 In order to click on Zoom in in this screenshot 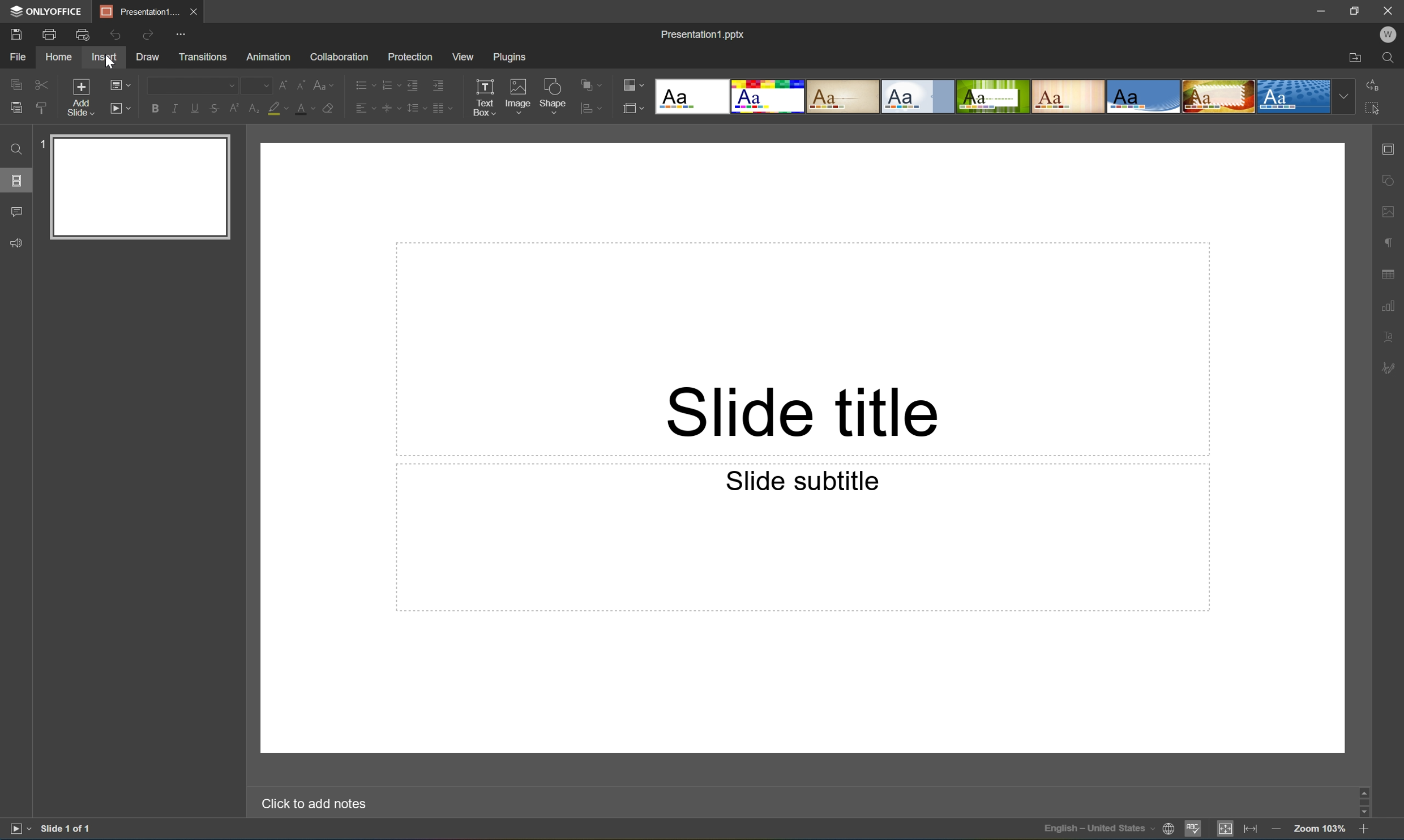, I will do `click(1367, 829)`.